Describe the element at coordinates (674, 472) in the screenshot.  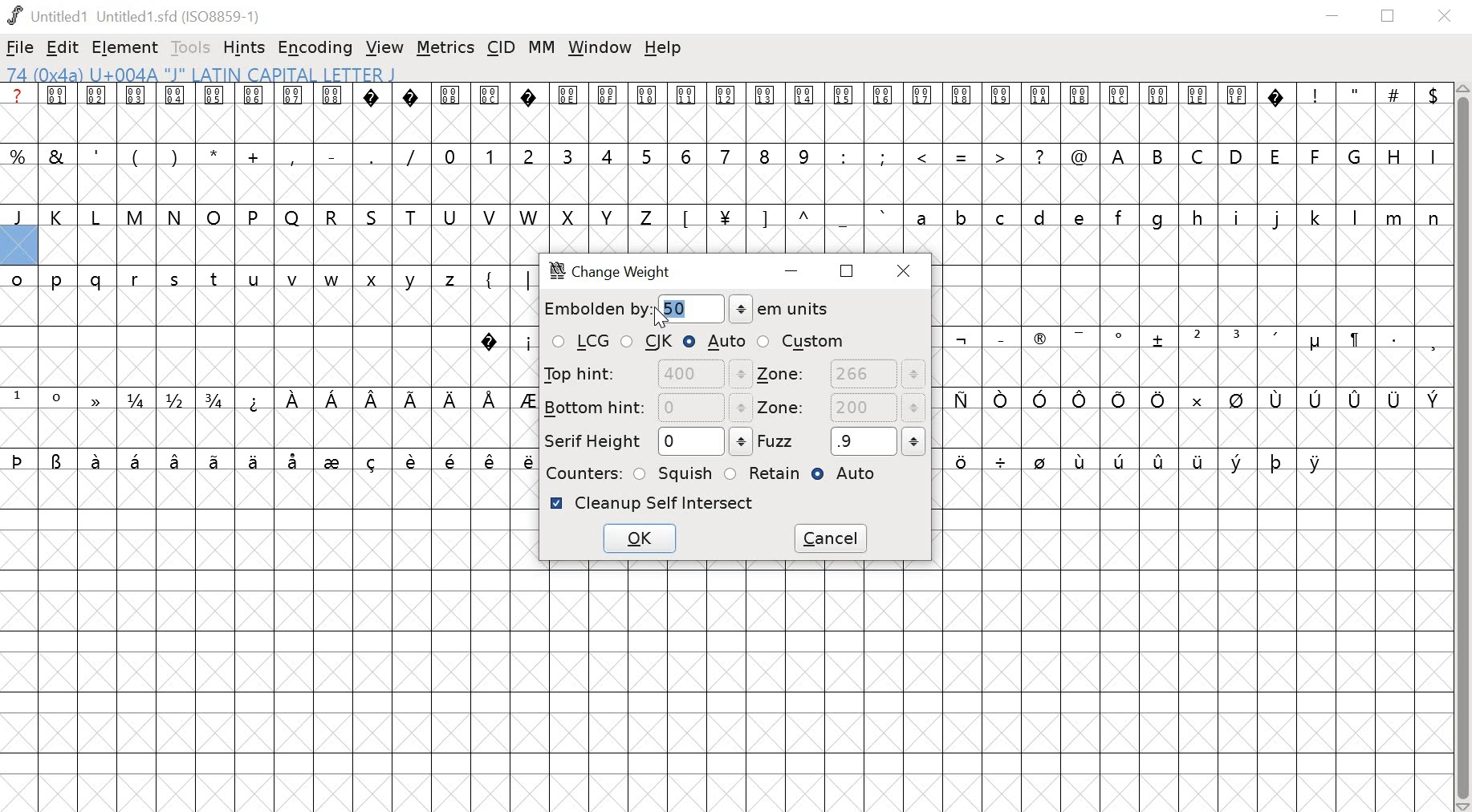
I see `SQUISH` at that location.